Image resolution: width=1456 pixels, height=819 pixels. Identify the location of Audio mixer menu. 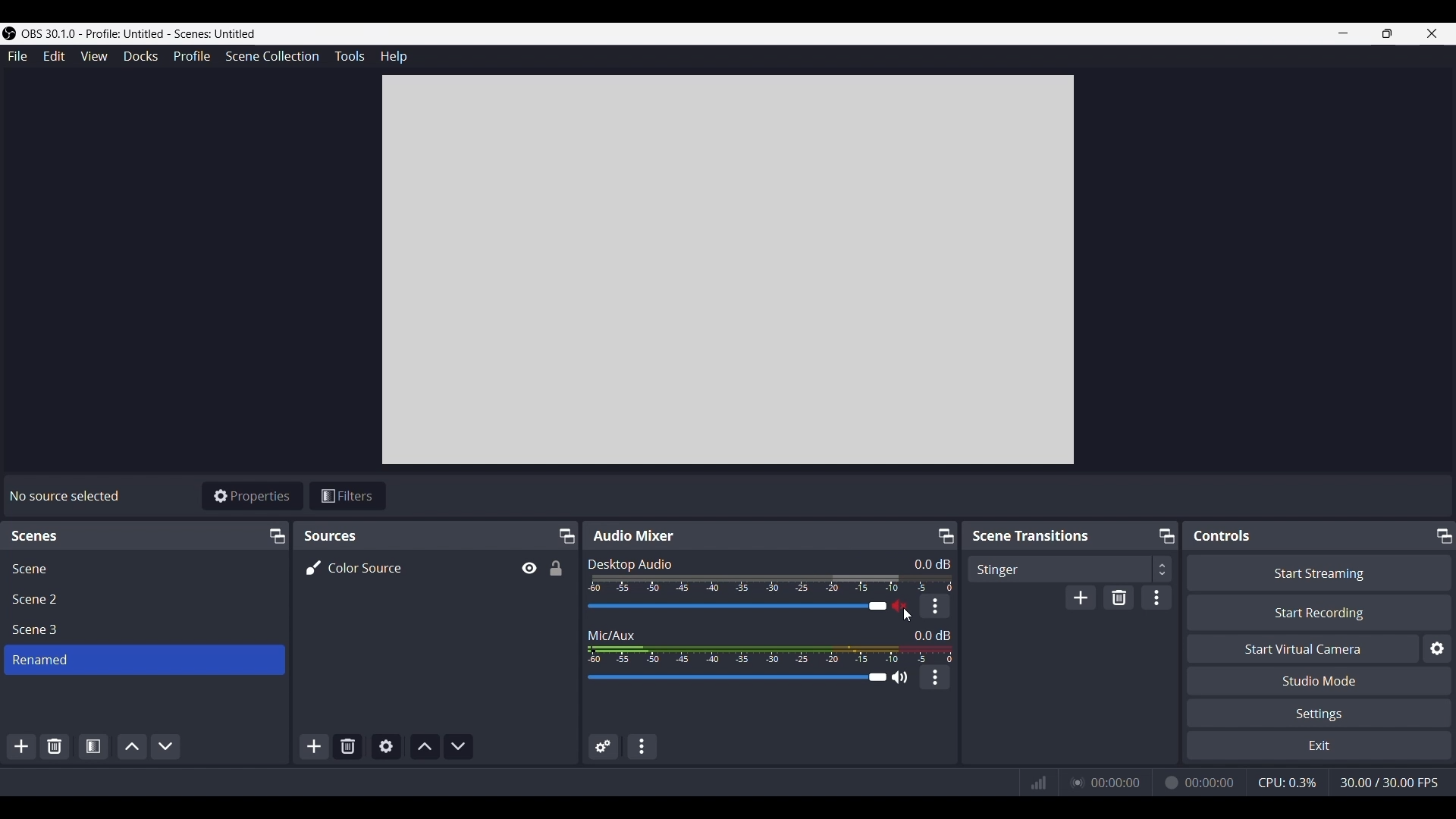
(642, 747).